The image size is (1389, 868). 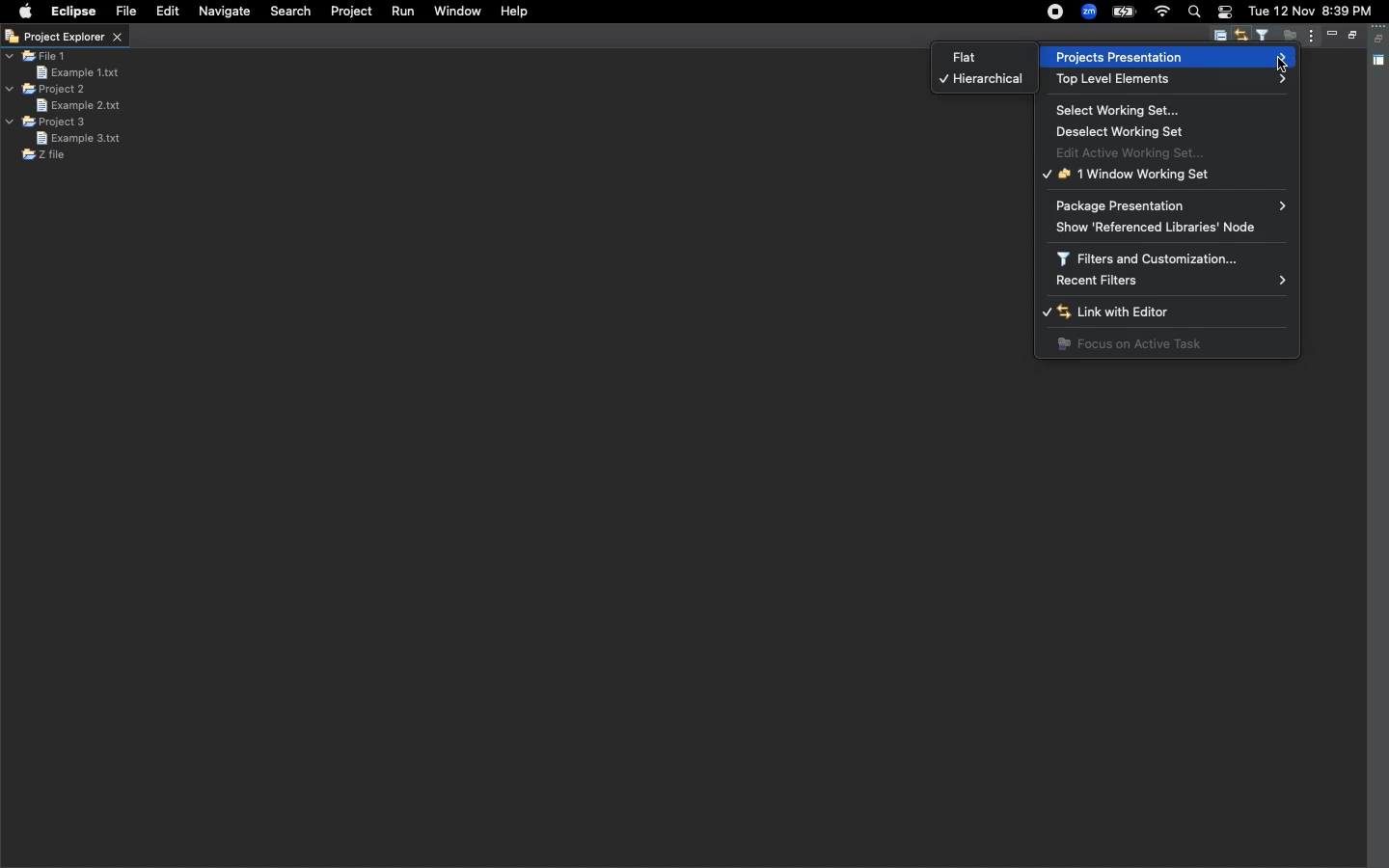 What do you see at coordinates (353, 13) in the screenshot?
I see `Project` at bounding box center [353, 13].